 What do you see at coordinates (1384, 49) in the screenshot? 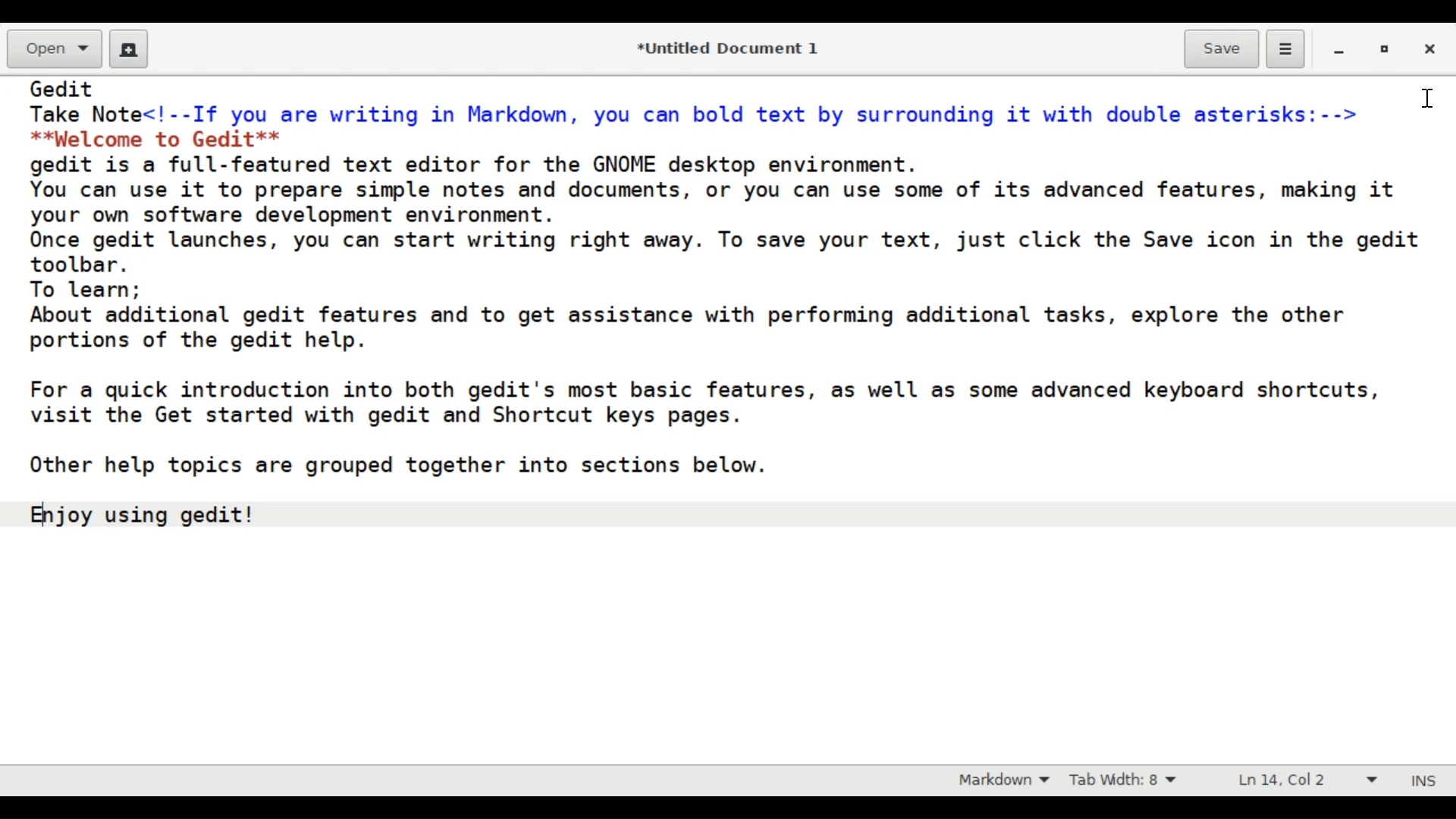
I see `restore` at bounding box center [1384, 49].